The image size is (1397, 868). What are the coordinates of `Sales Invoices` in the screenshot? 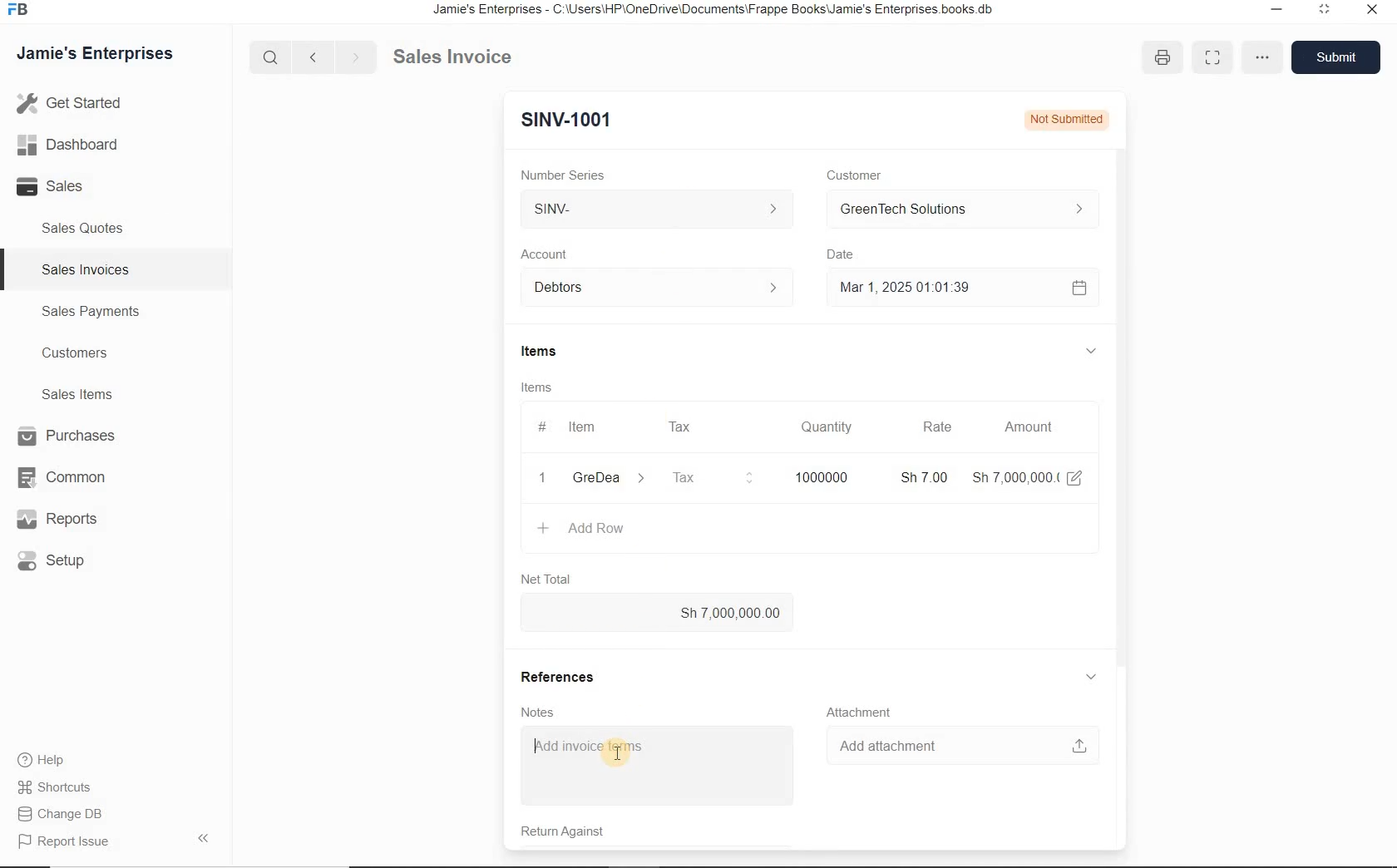 It's located at (83, 269).